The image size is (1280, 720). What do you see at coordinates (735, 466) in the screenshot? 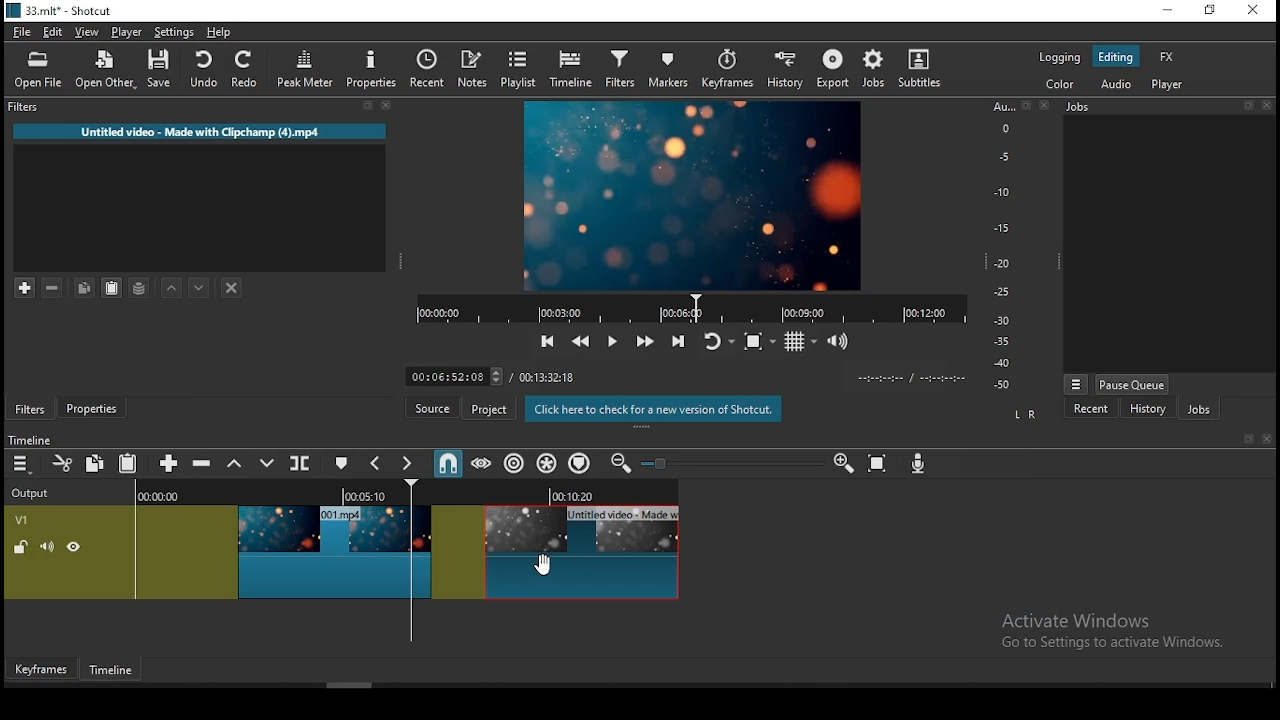
I see `zoom in or zoom out slider` at bounding box center [735, 466].